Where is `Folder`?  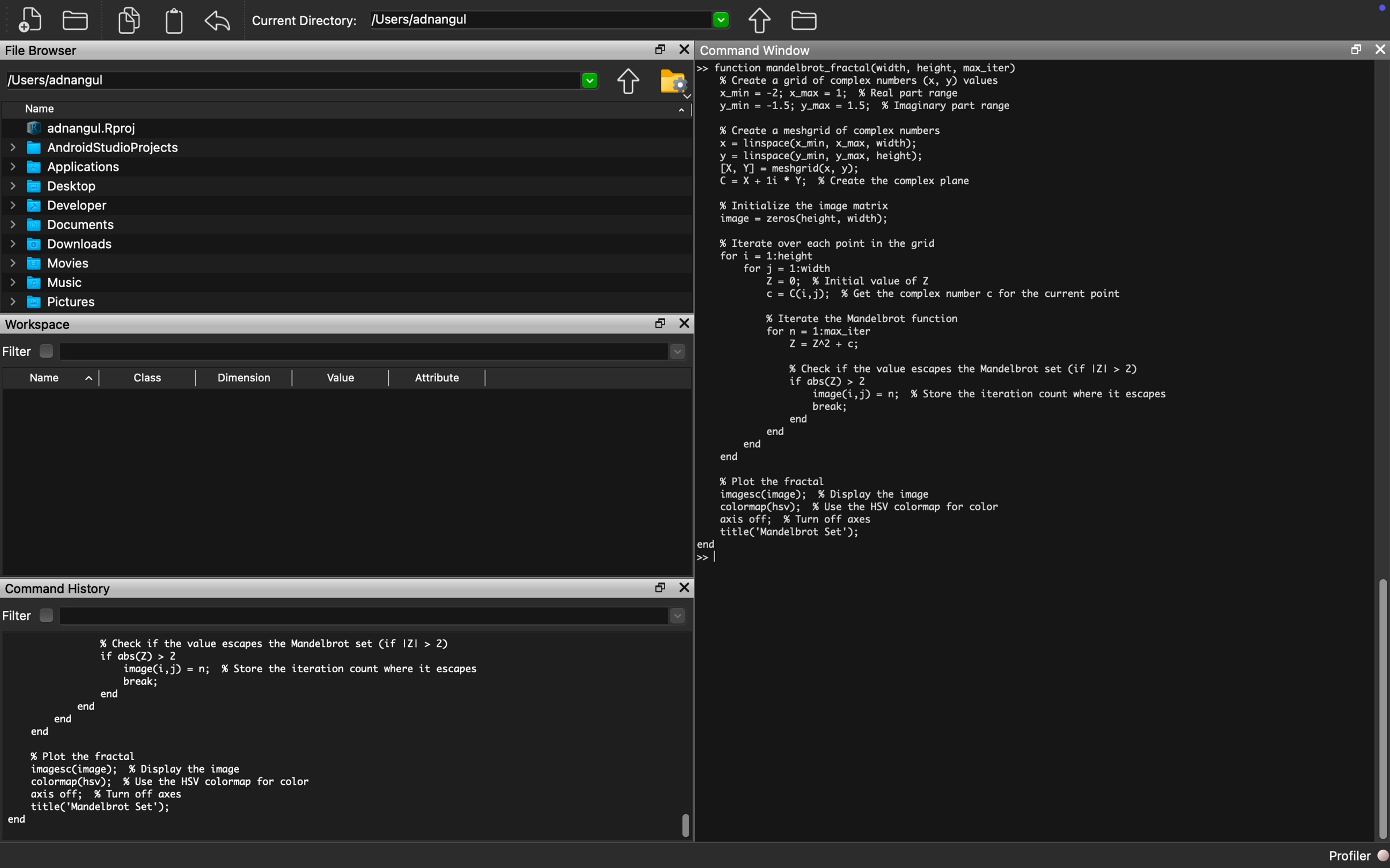
Folder is located at coordinates (804, 21).